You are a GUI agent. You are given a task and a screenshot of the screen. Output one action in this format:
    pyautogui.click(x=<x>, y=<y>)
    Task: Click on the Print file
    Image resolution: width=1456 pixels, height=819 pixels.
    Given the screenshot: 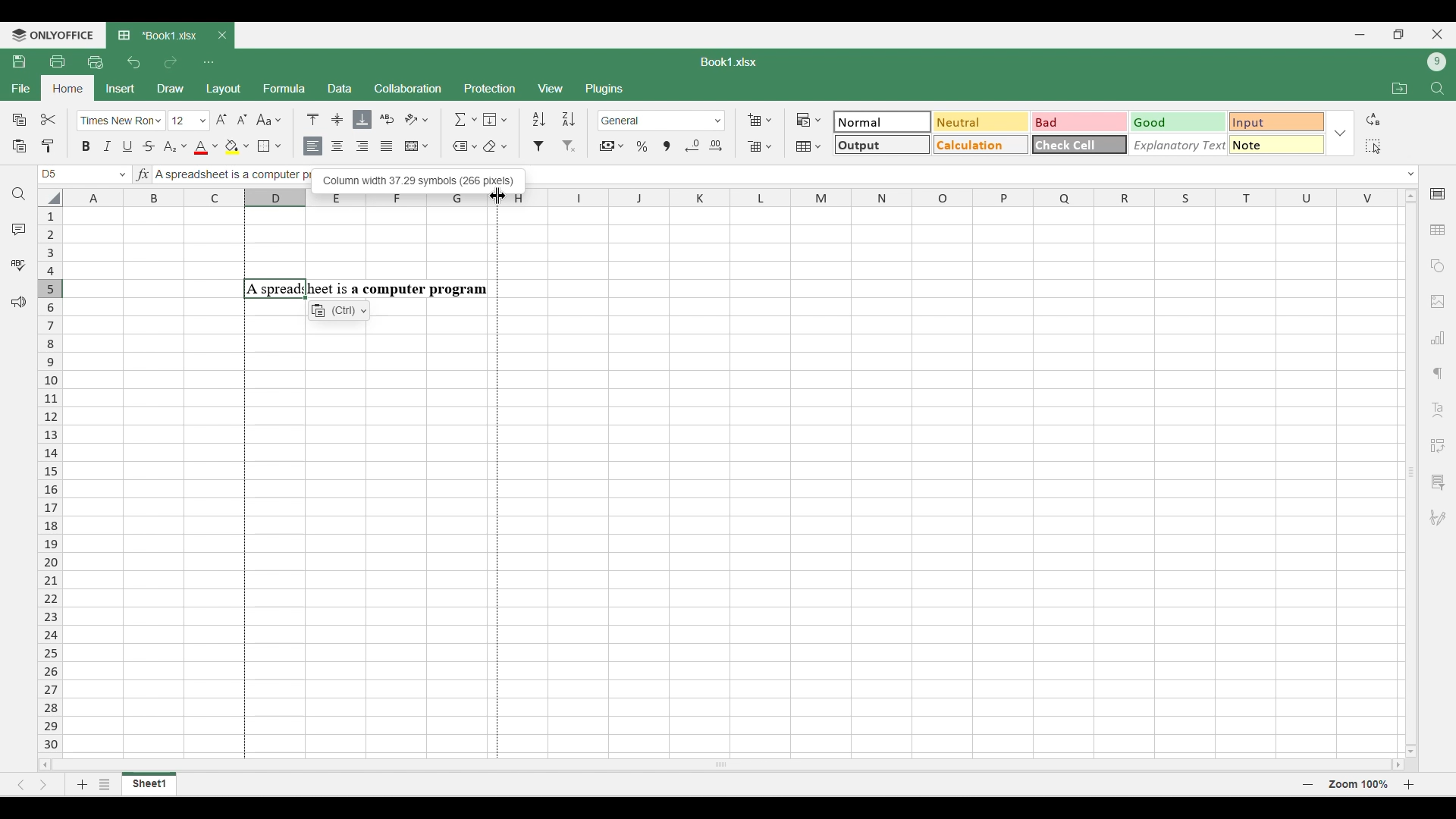 What is the action you would take?
    pyautogui.click(x=57, y=61)
    